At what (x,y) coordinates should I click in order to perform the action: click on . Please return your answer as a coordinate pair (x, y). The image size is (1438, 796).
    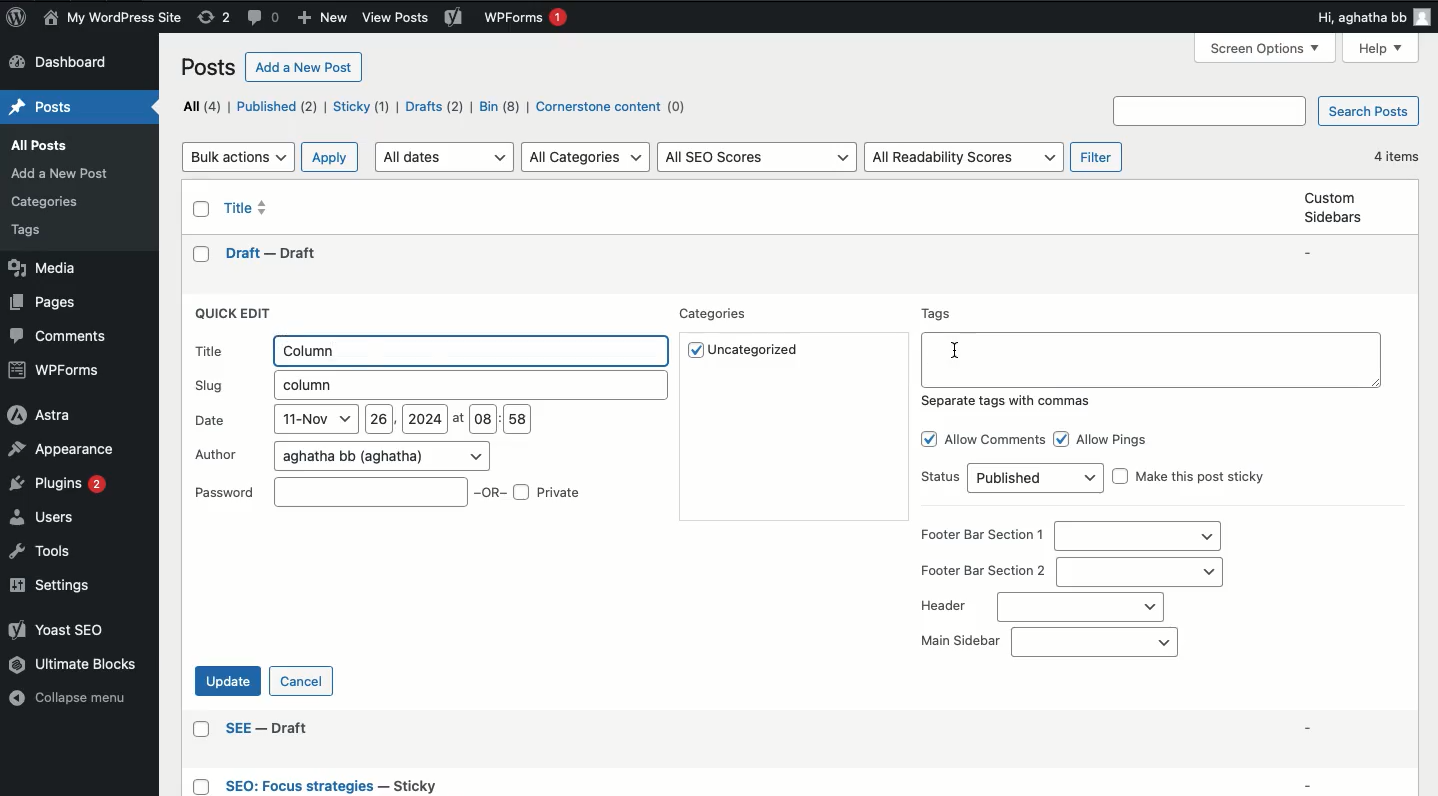
    Looking at the image, I should click on (1208, 111).